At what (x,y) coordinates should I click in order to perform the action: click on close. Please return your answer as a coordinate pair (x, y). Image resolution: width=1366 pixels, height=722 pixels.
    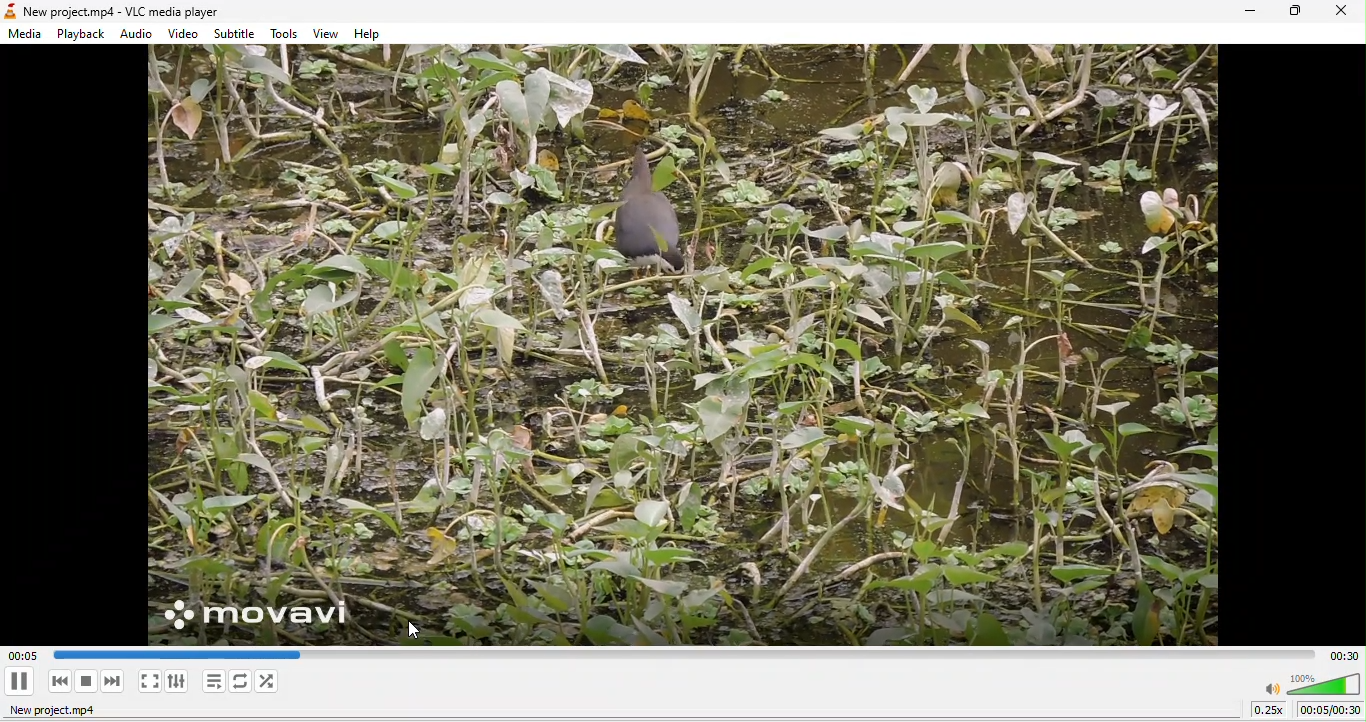
    Looking at the image, I should click on (1339, 13).